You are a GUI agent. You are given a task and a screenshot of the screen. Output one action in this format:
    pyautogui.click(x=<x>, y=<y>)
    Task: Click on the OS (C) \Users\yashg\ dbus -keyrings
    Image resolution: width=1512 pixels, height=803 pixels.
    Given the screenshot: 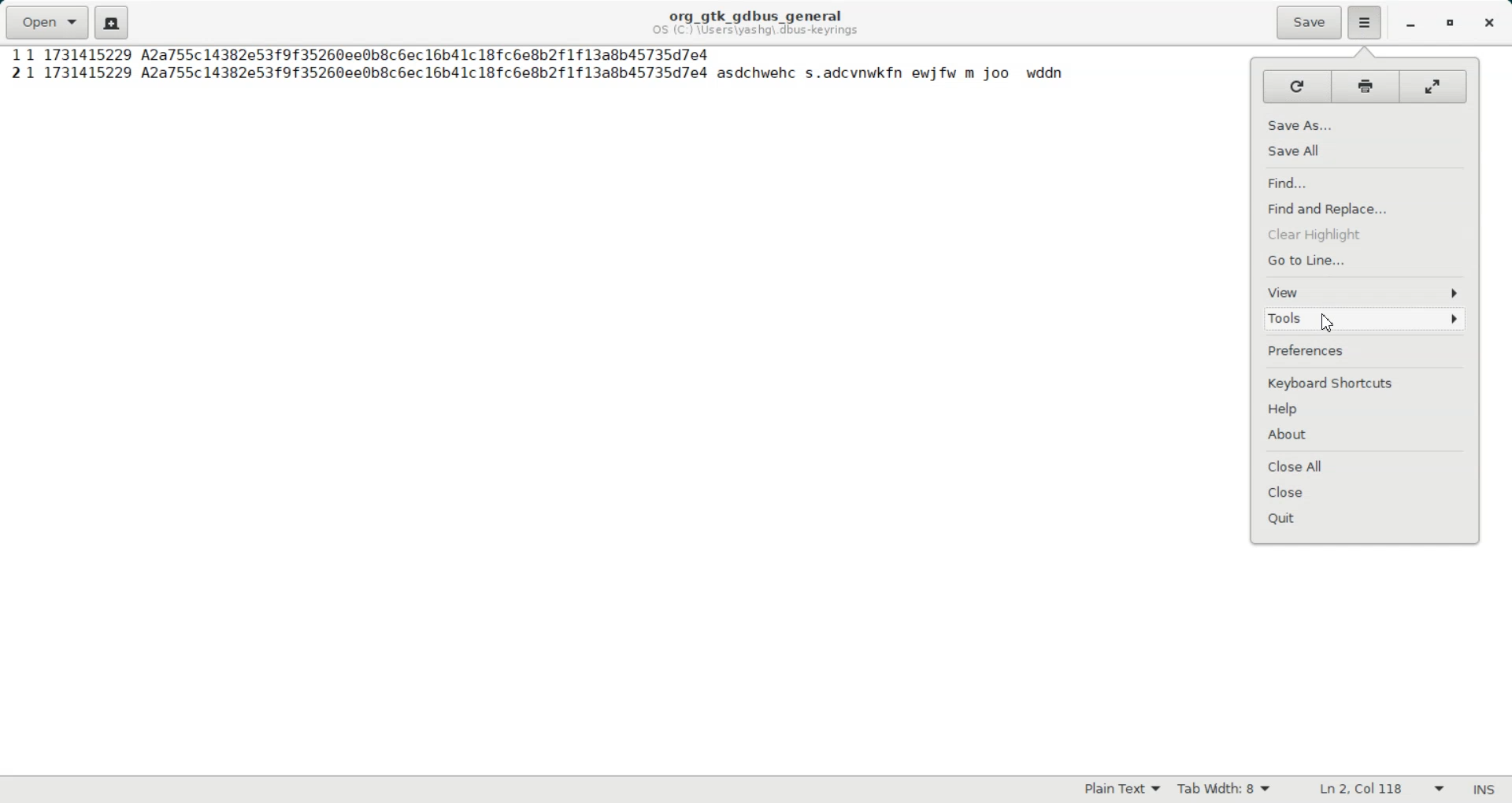 What is the action you would take?
    pyautogui.click(x=758, y=33)
    